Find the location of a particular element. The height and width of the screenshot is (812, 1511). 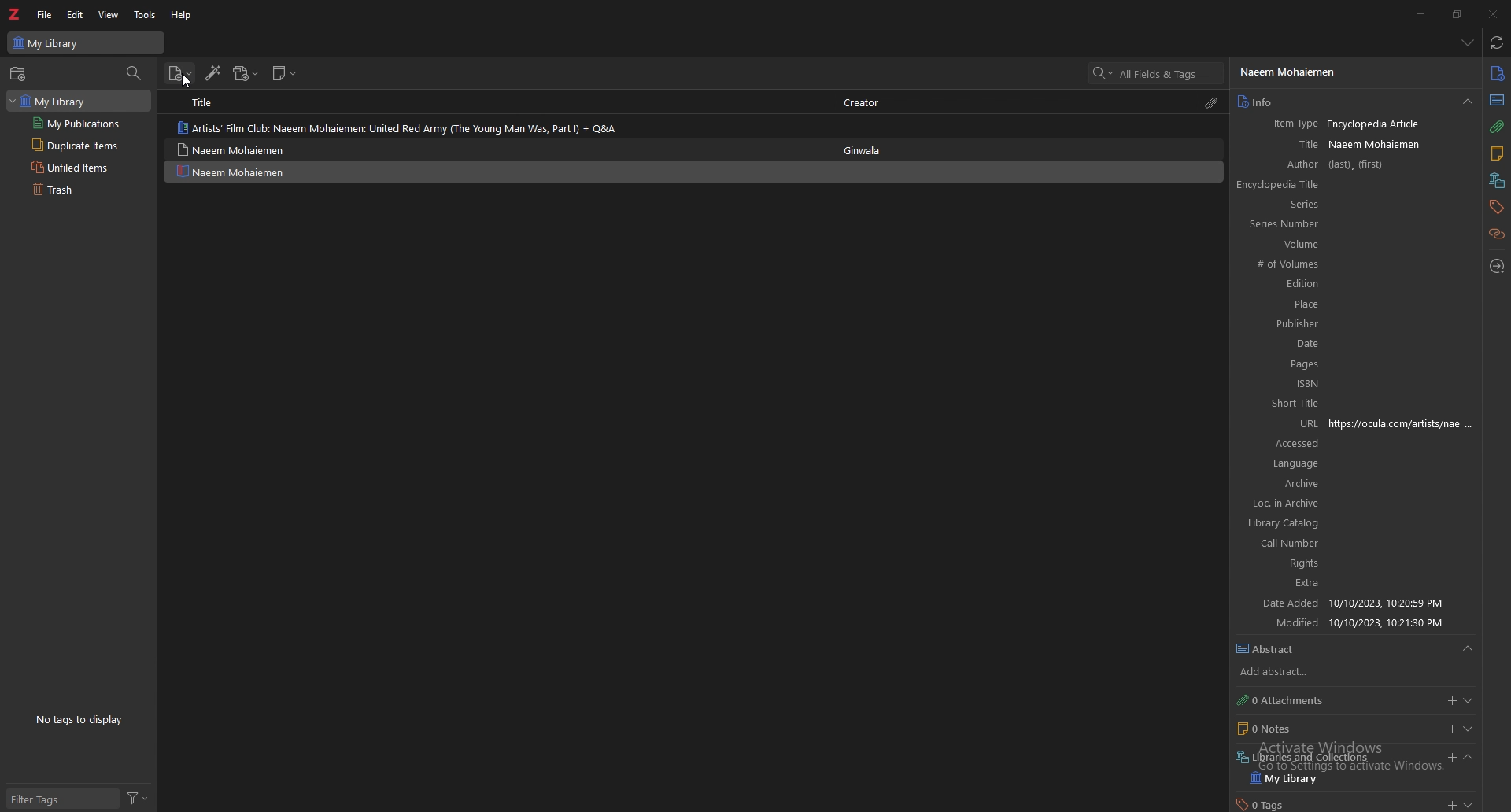

url input is located at coordinates (1406, 423).